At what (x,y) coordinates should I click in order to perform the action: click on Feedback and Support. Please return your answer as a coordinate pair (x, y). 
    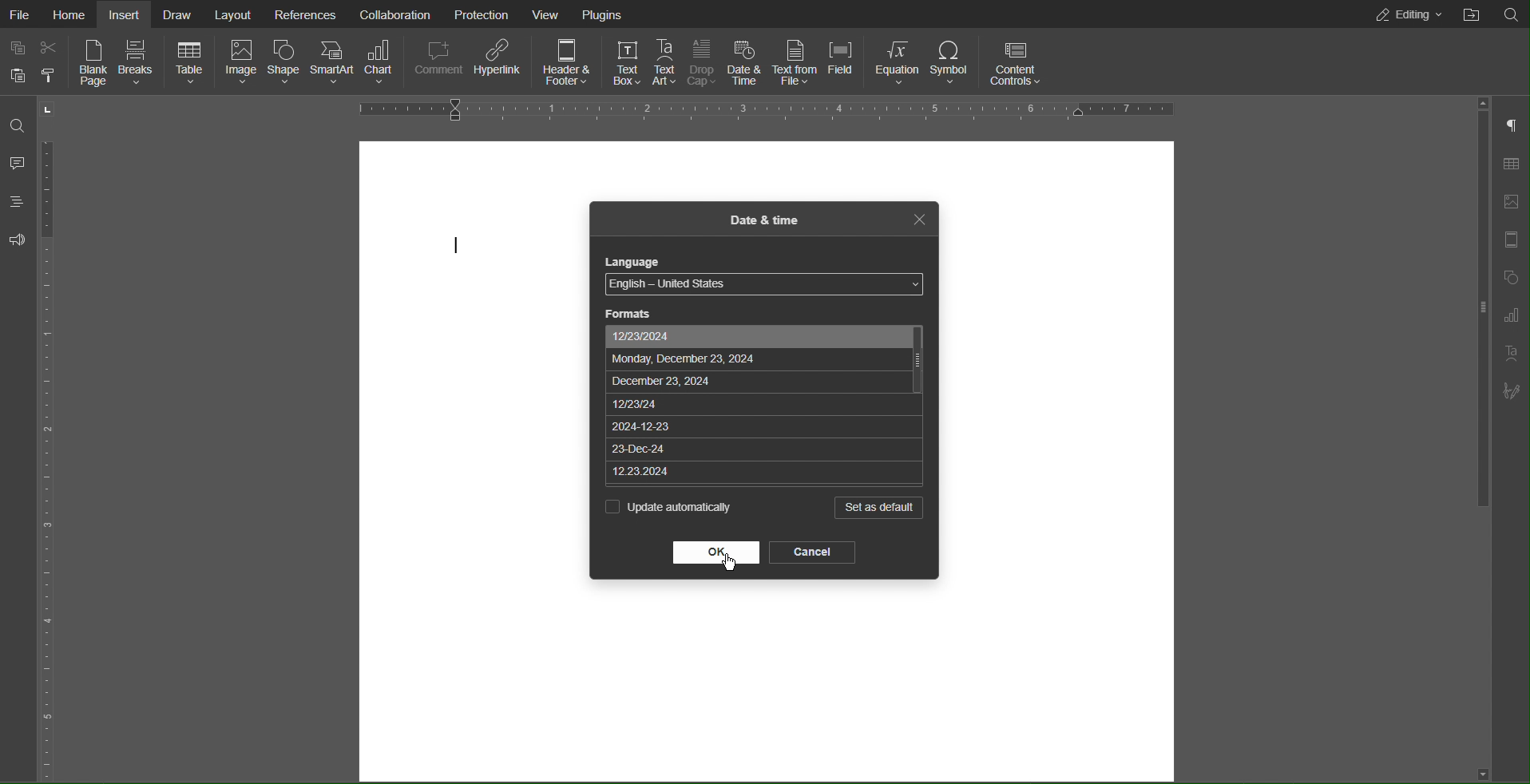
    Looking at the image, I should click on (15, 241).